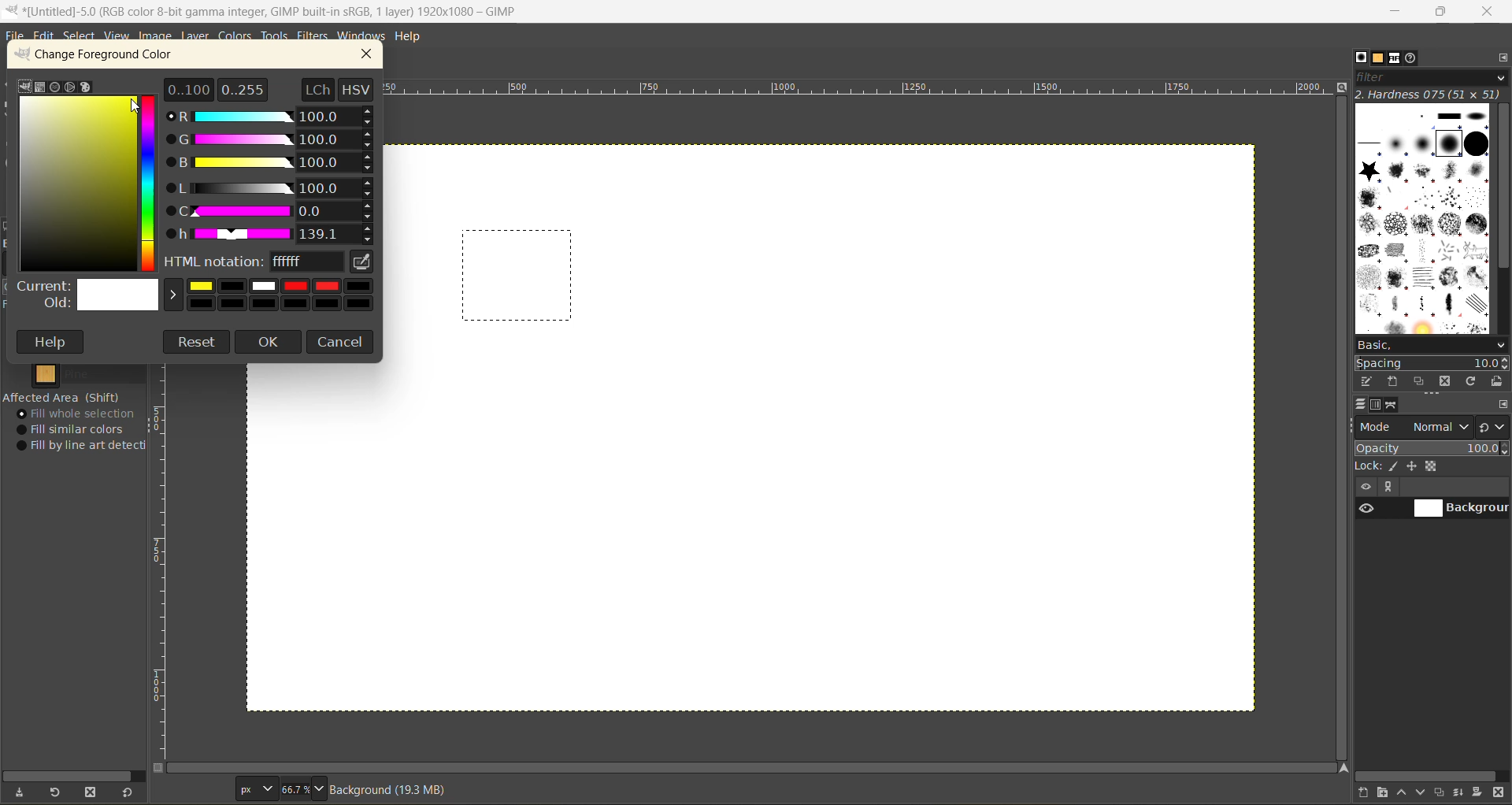 This screenshot has width=1512, height=805. Describe the element at coordinates (1478, 793) in the screenshot. I see `add a mask` at that location.